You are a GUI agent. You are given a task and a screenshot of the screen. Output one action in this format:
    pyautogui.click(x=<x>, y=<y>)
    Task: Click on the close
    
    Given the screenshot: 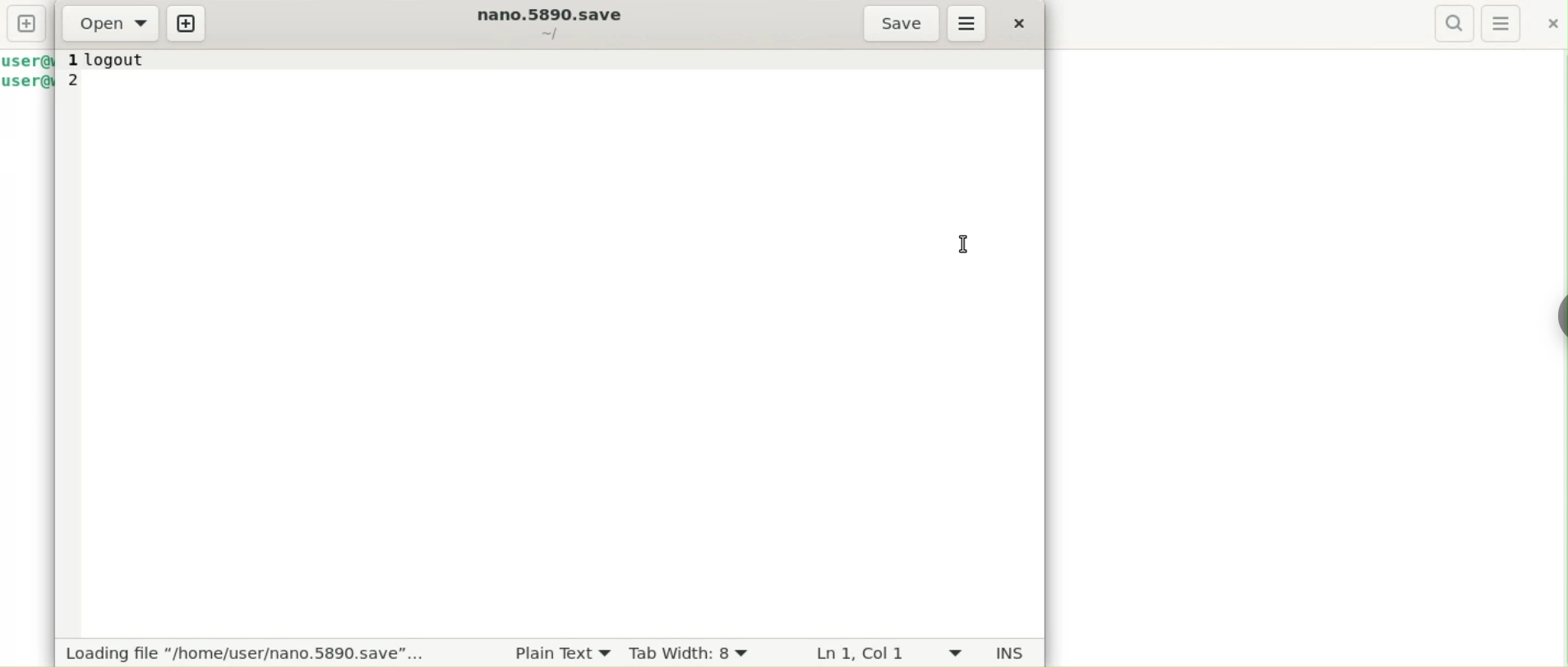 What is the action you would take?
    pyautogui.click(x=1545, y=25)
    